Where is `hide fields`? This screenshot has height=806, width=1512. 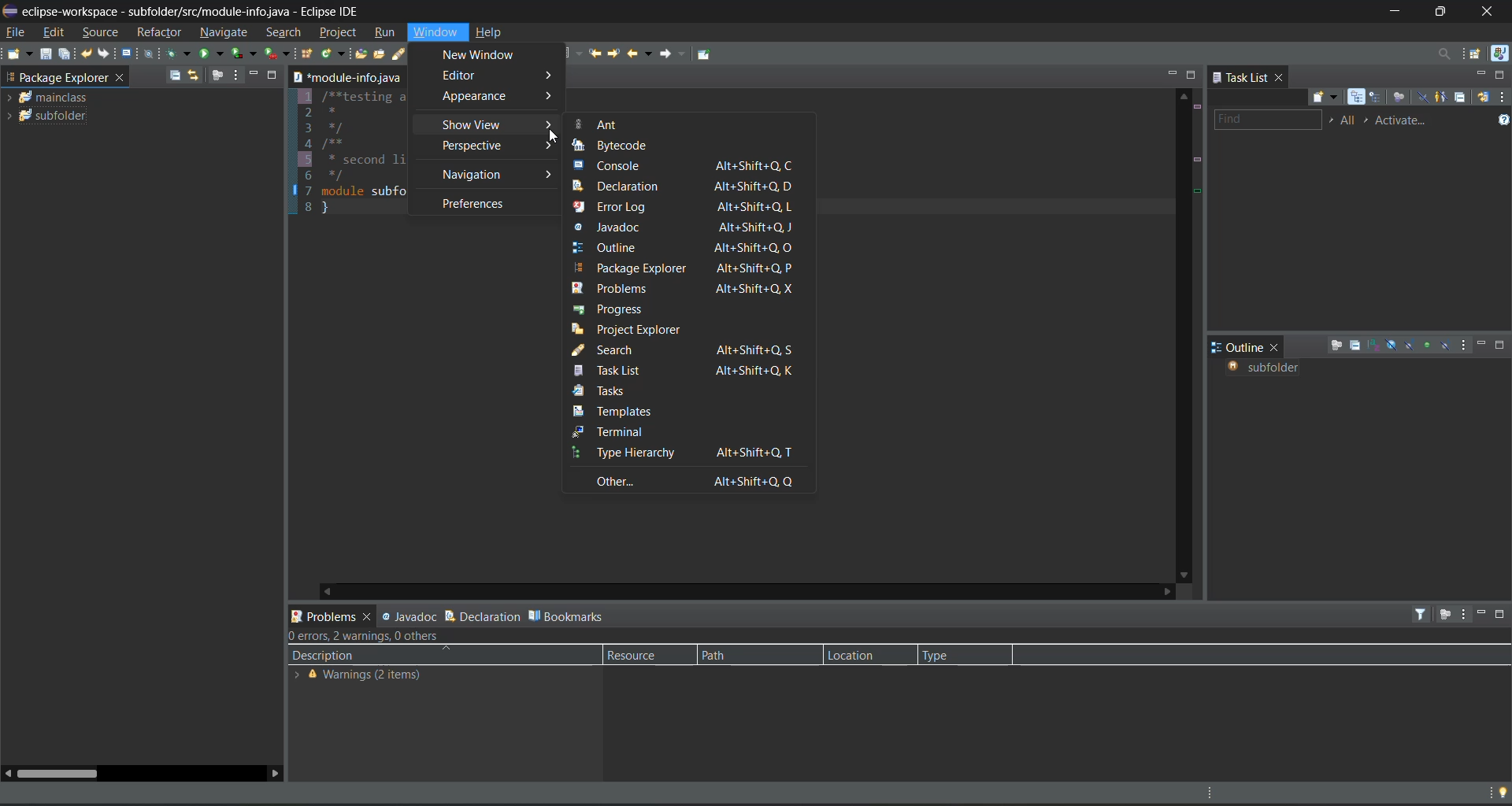 hide fields is located at coordinates (1393, 346).